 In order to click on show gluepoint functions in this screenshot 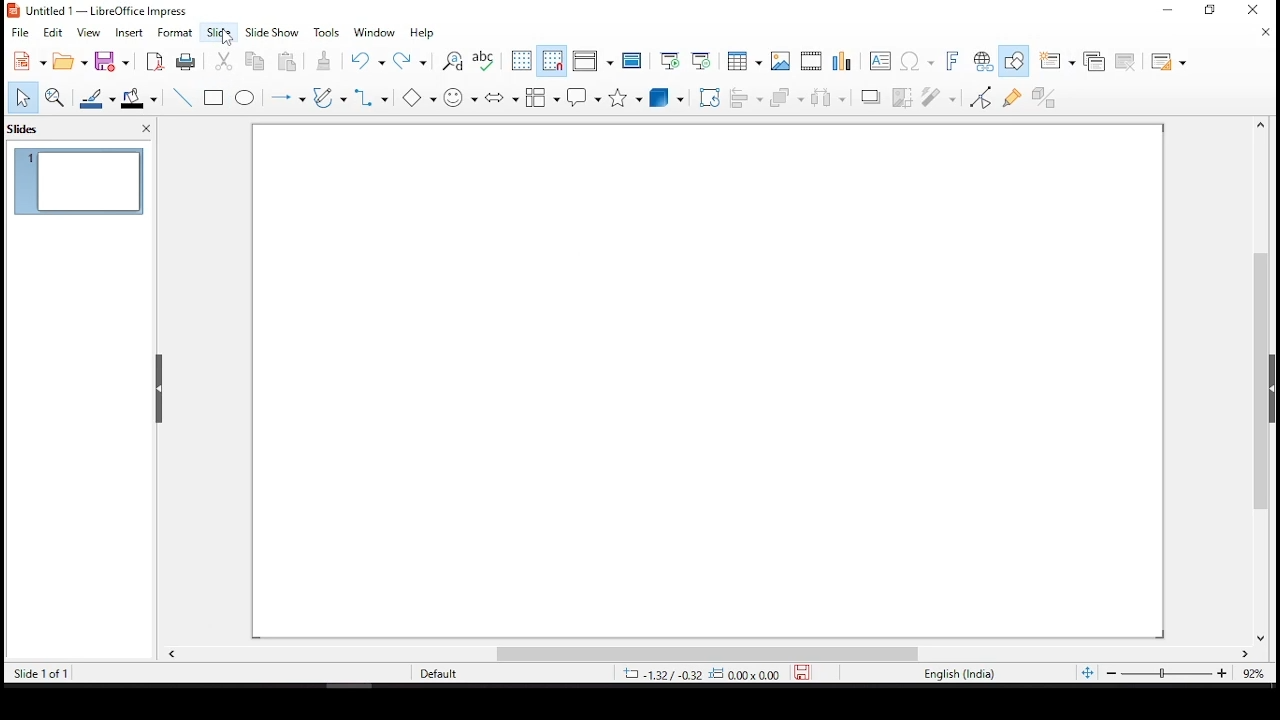, I will do `click(1014, 97)`.